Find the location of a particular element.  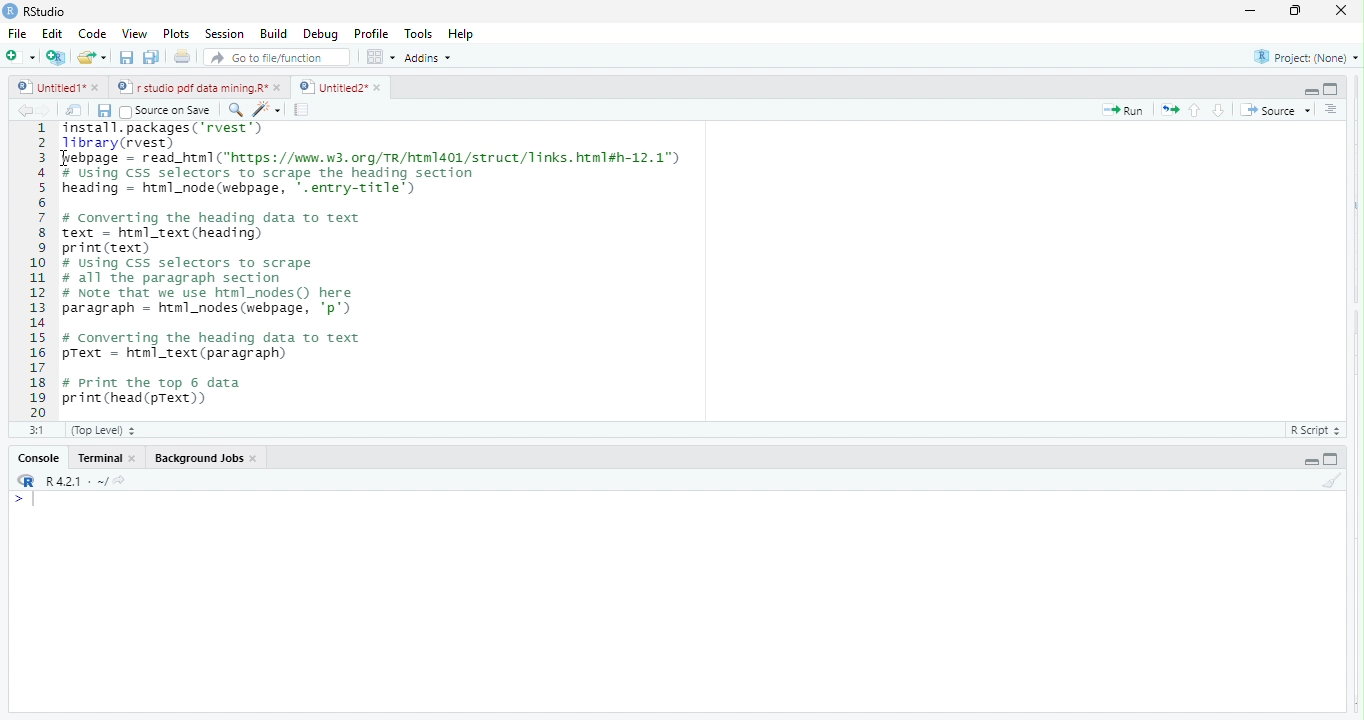

 R421: ~/ is located at coordinates (90, 481).